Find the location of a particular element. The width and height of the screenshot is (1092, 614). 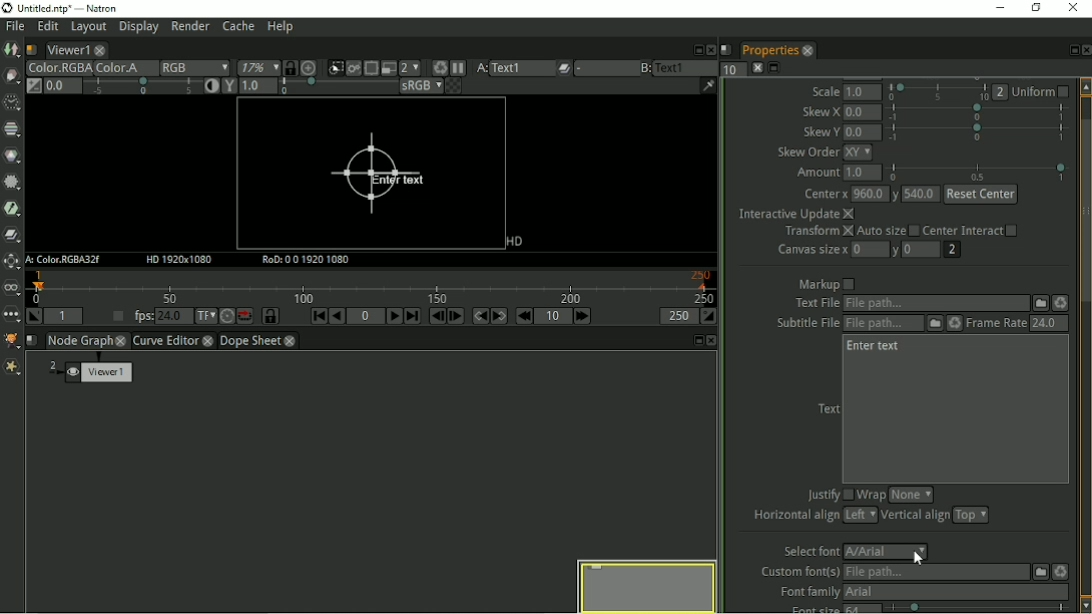

Last frame is located at coordinates (412, 316).